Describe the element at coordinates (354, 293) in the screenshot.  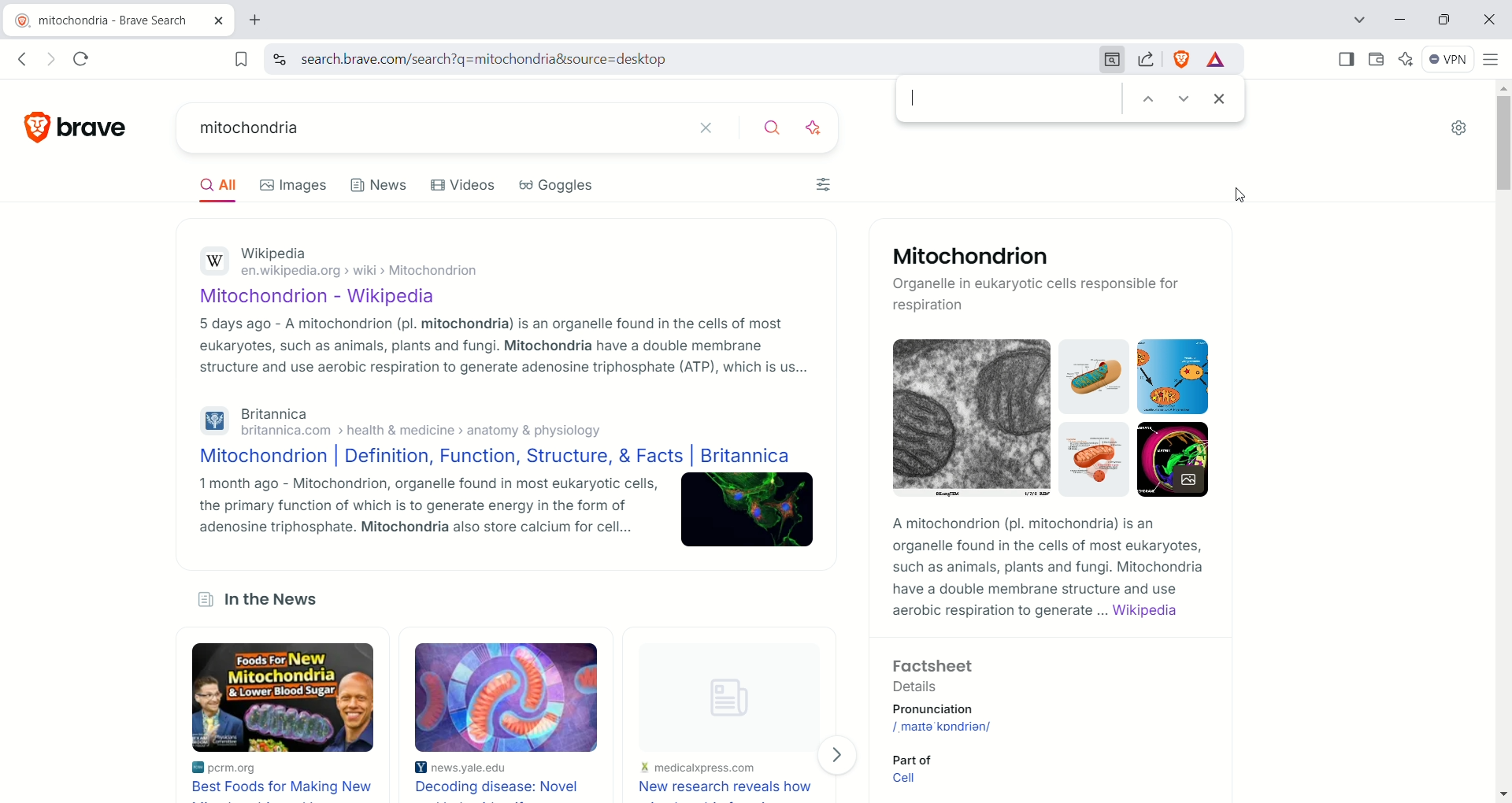
I see `Mitochondrion - Wikipedia` at that location.